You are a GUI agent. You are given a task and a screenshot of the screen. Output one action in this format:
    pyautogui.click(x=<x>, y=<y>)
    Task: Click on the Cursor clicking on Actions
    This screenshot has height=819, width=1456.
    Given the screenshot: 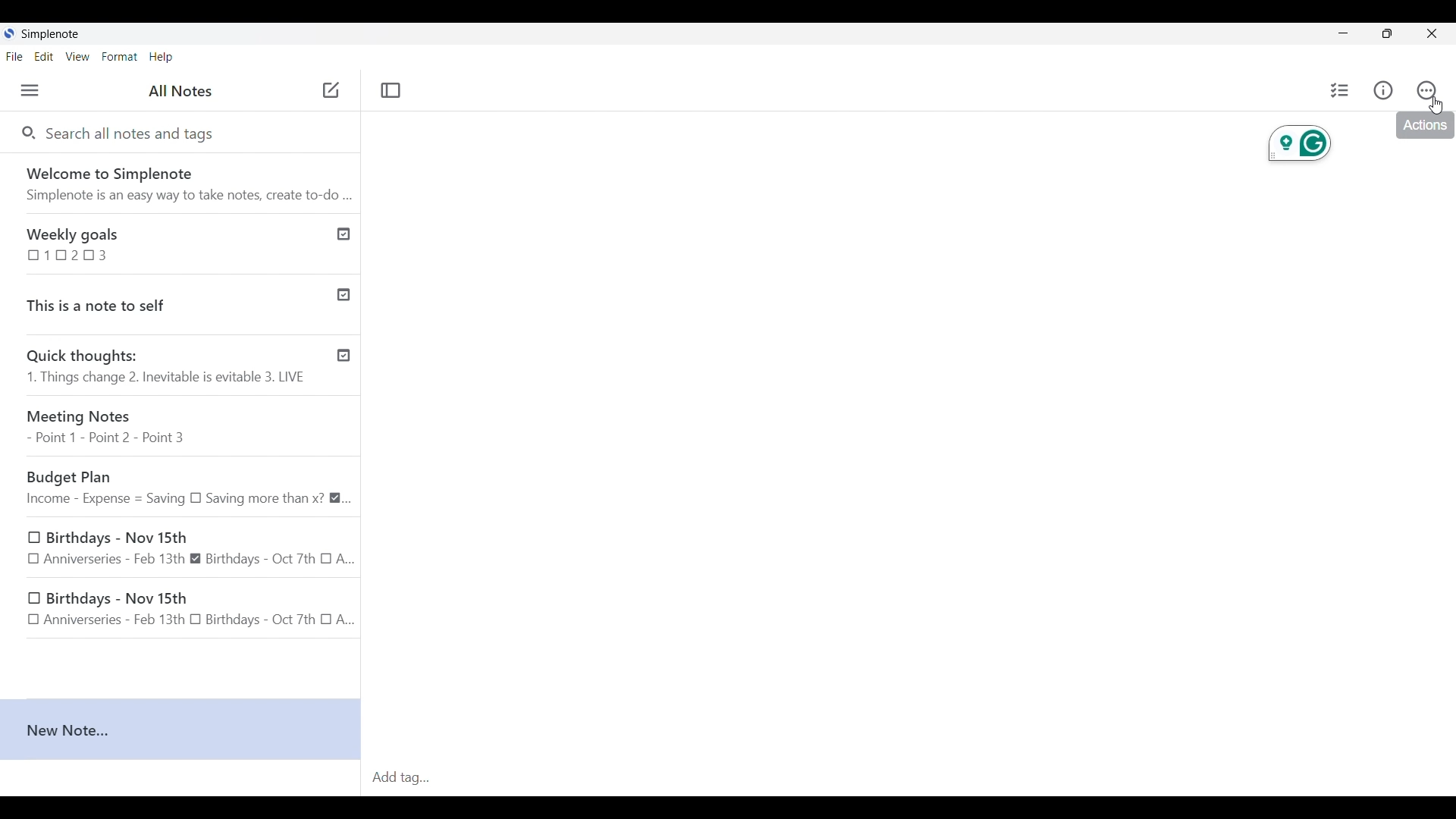 What is the action you would take?
    pyautogui.click(x=1436, y=105)
    